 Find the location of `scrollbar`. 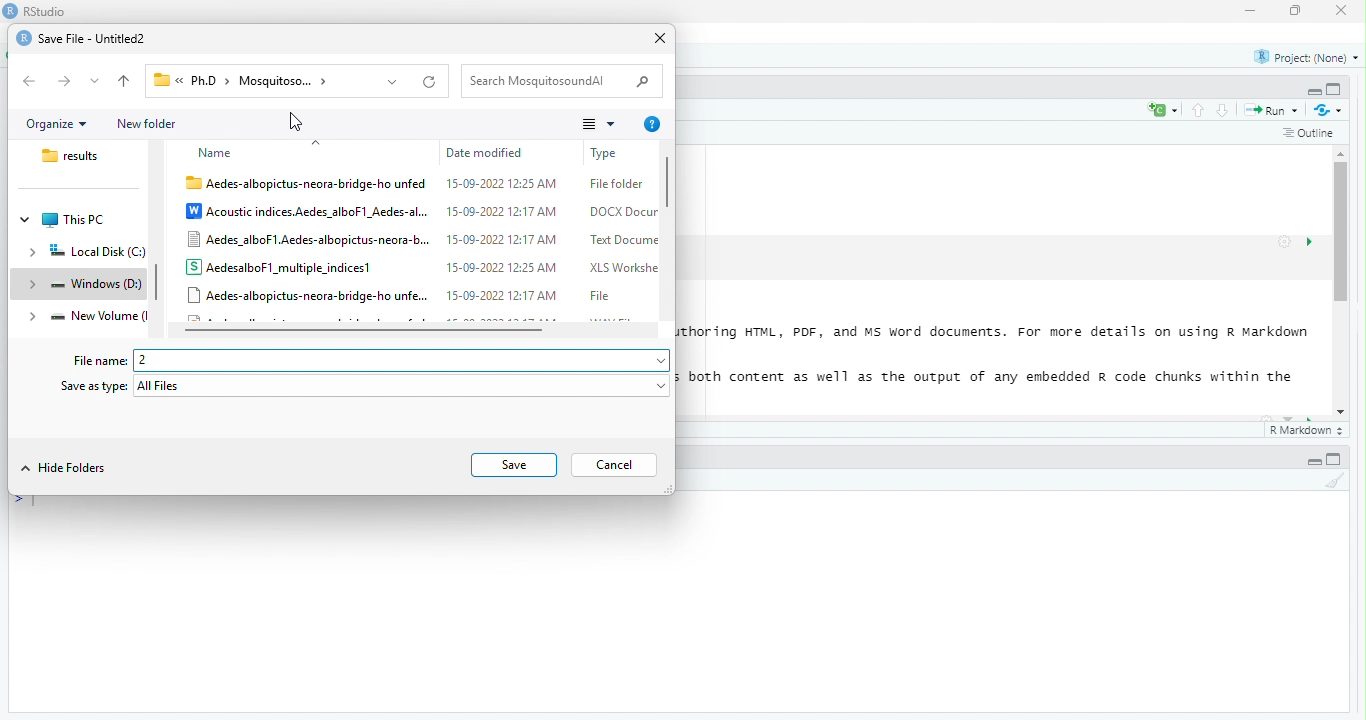

scrollbar is located at coordinates (158, 281).